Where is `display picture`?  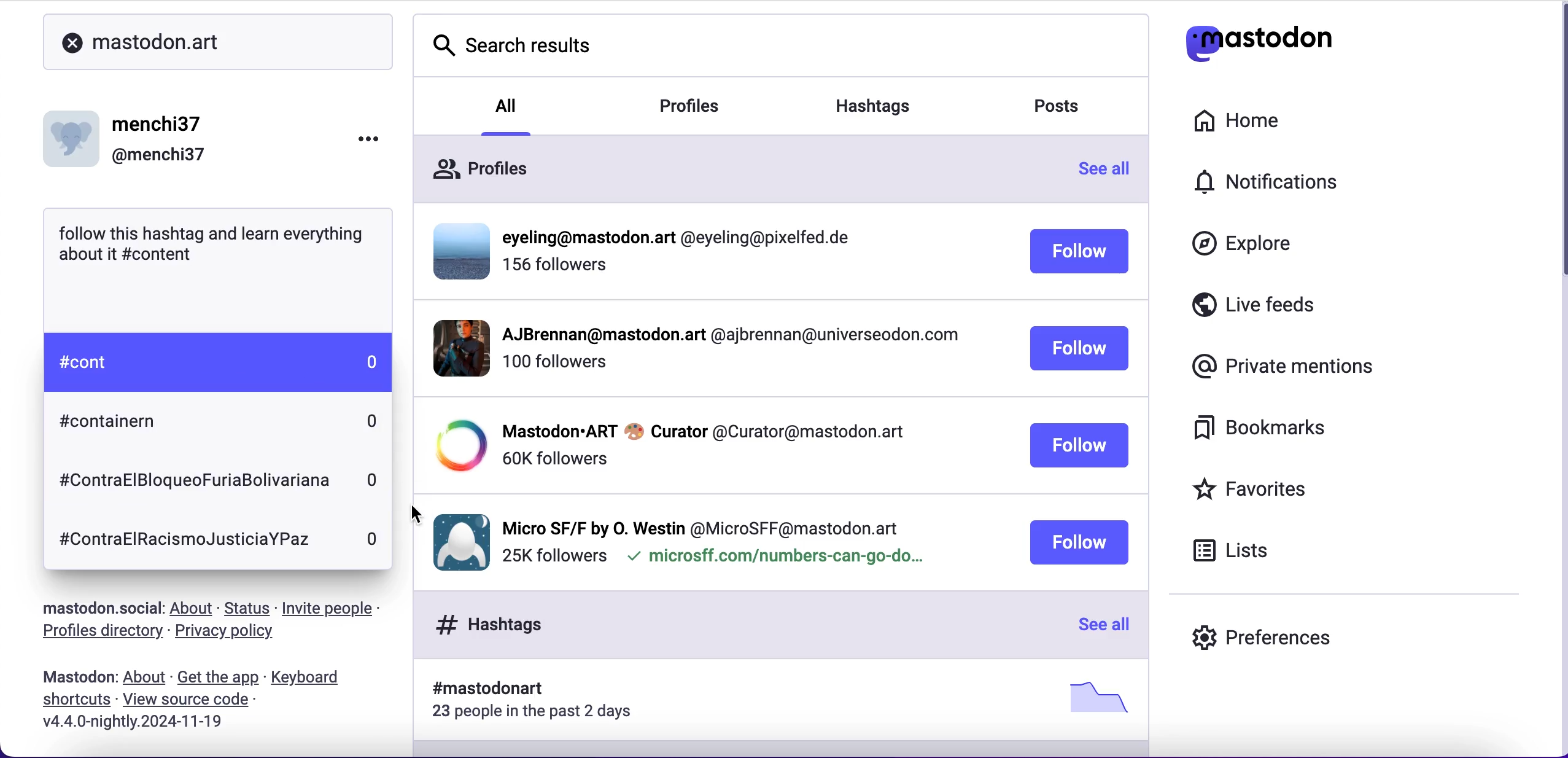 display picture is located at coordinates (451, 347).